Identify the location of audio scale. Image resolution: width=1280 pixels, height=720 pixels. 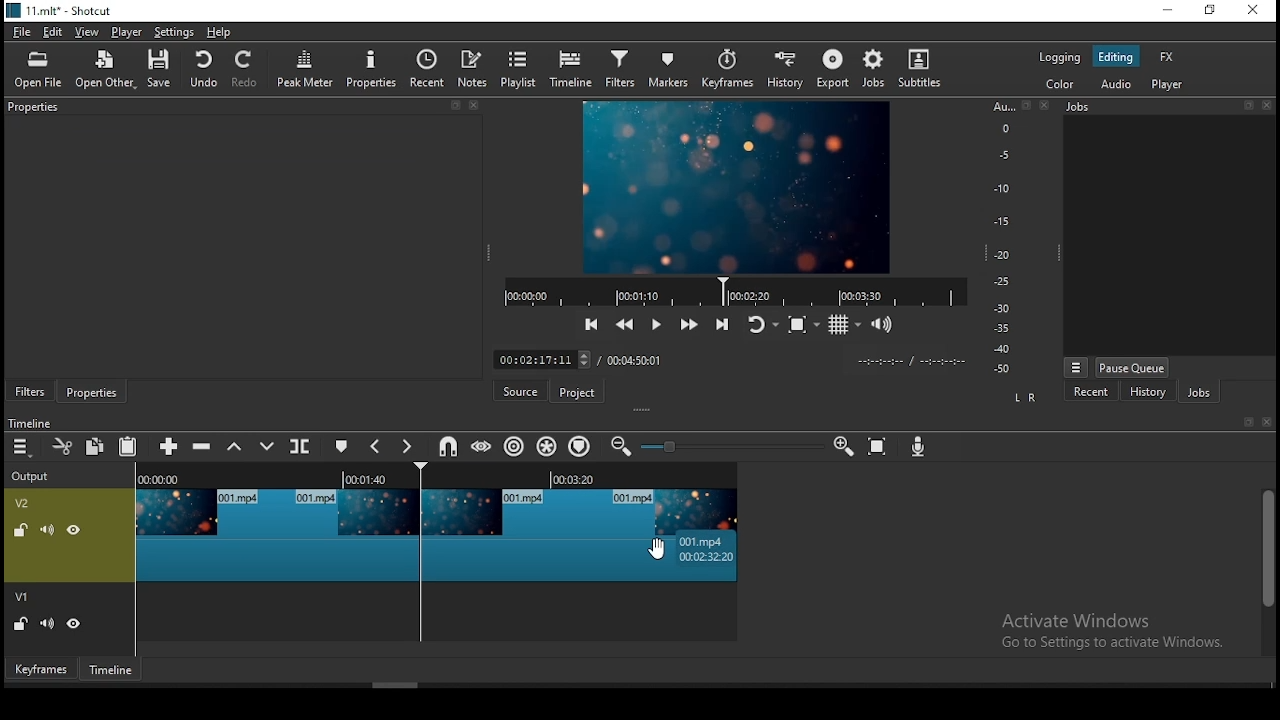
(1017, 239).